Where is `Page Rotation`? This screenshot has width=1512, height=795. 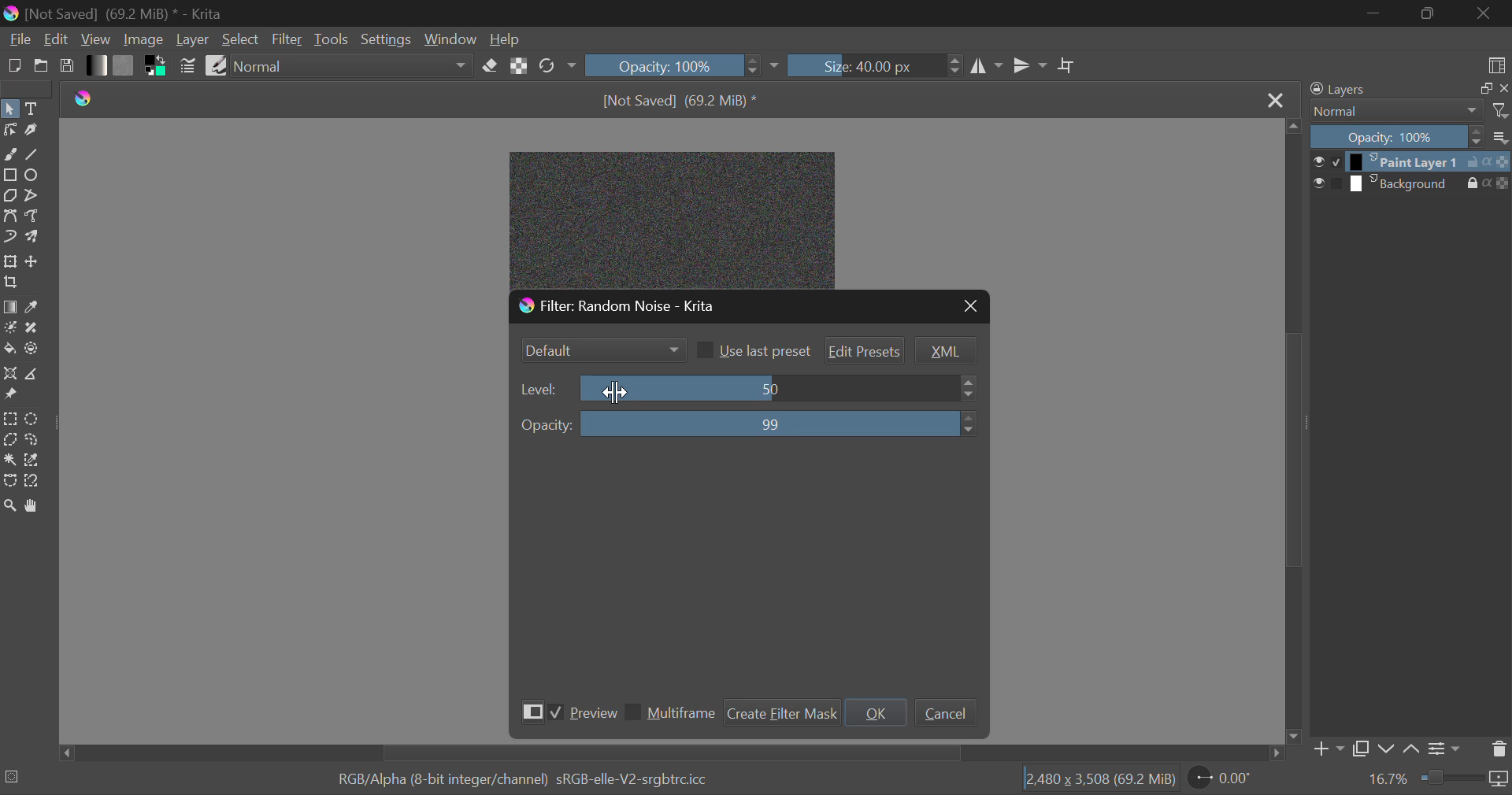
Page Rotation is located at coordinates (1223, 780).